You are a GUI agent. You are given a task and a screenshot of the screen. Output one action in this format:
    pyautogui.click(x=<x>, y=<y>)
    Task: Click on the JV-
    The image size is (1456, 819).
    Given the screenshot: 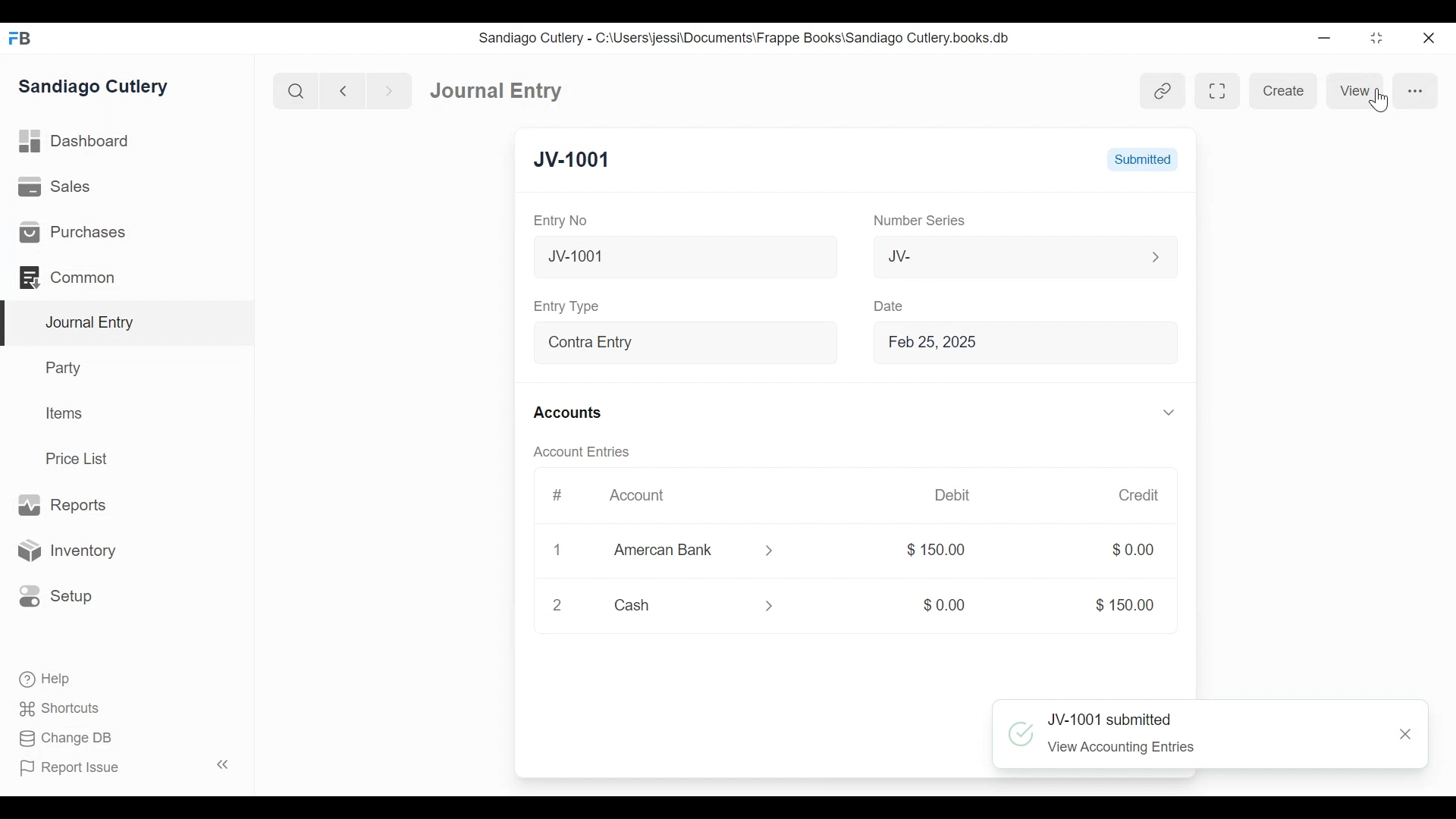 What is the action you would take?
    pyautogui.click(x=999, y=255)
    